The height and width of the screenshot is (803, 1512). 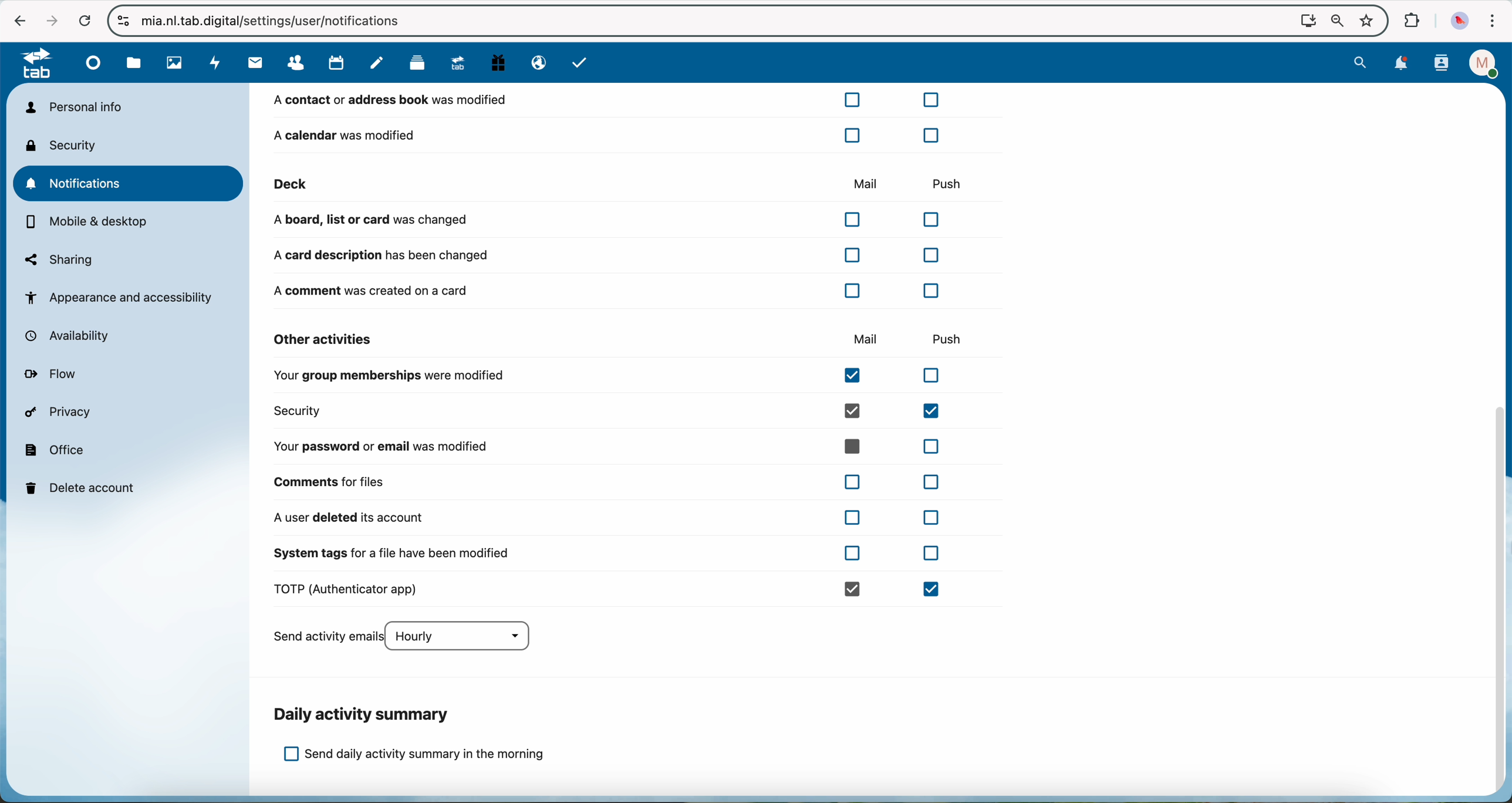 What do you see at coordinates (73, 336) in the screenshot?
I see `availability` at bounding box center [73, 336].